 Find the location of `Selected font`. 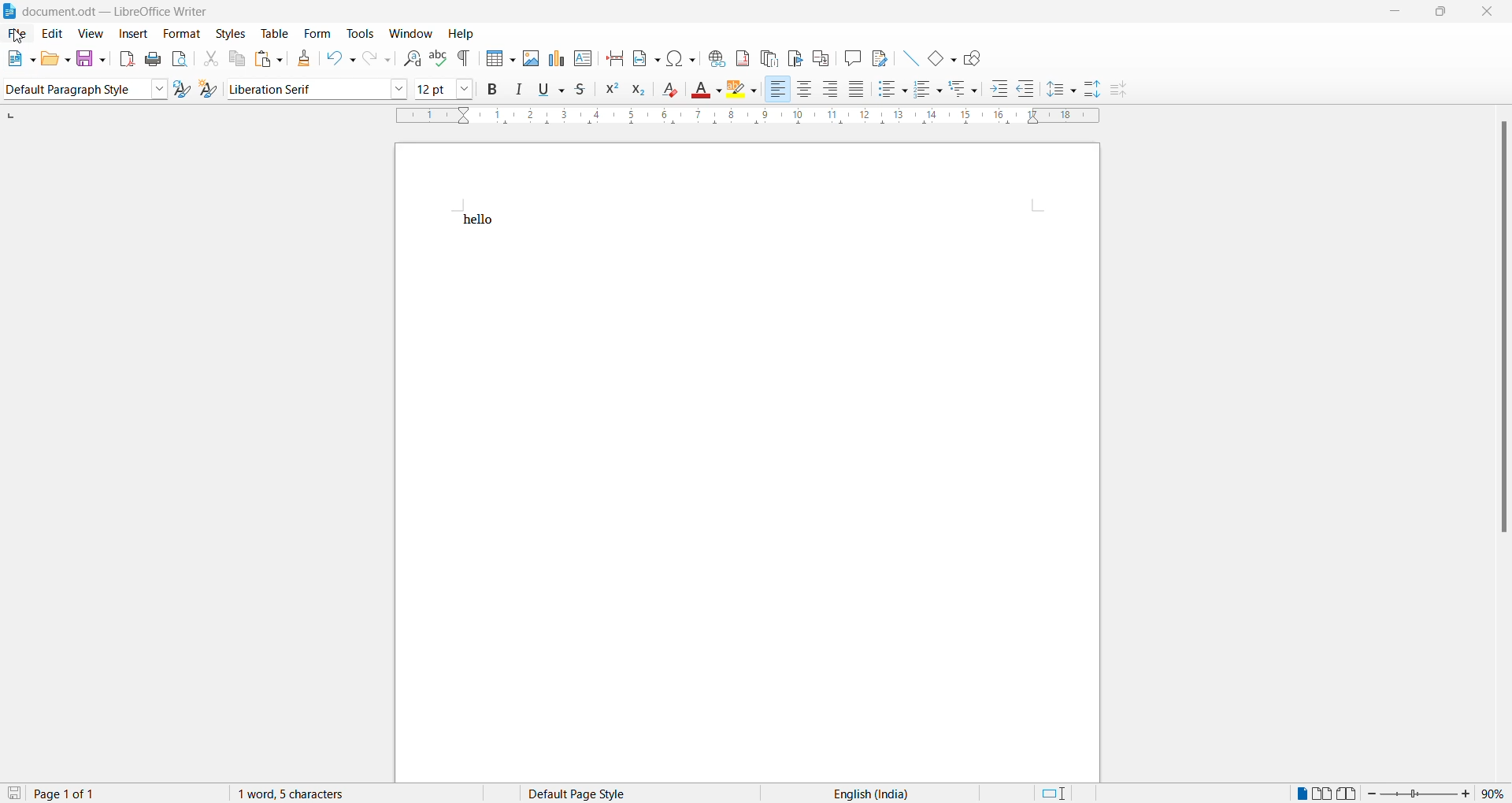

Selected font is located at coordinates (306, 89).